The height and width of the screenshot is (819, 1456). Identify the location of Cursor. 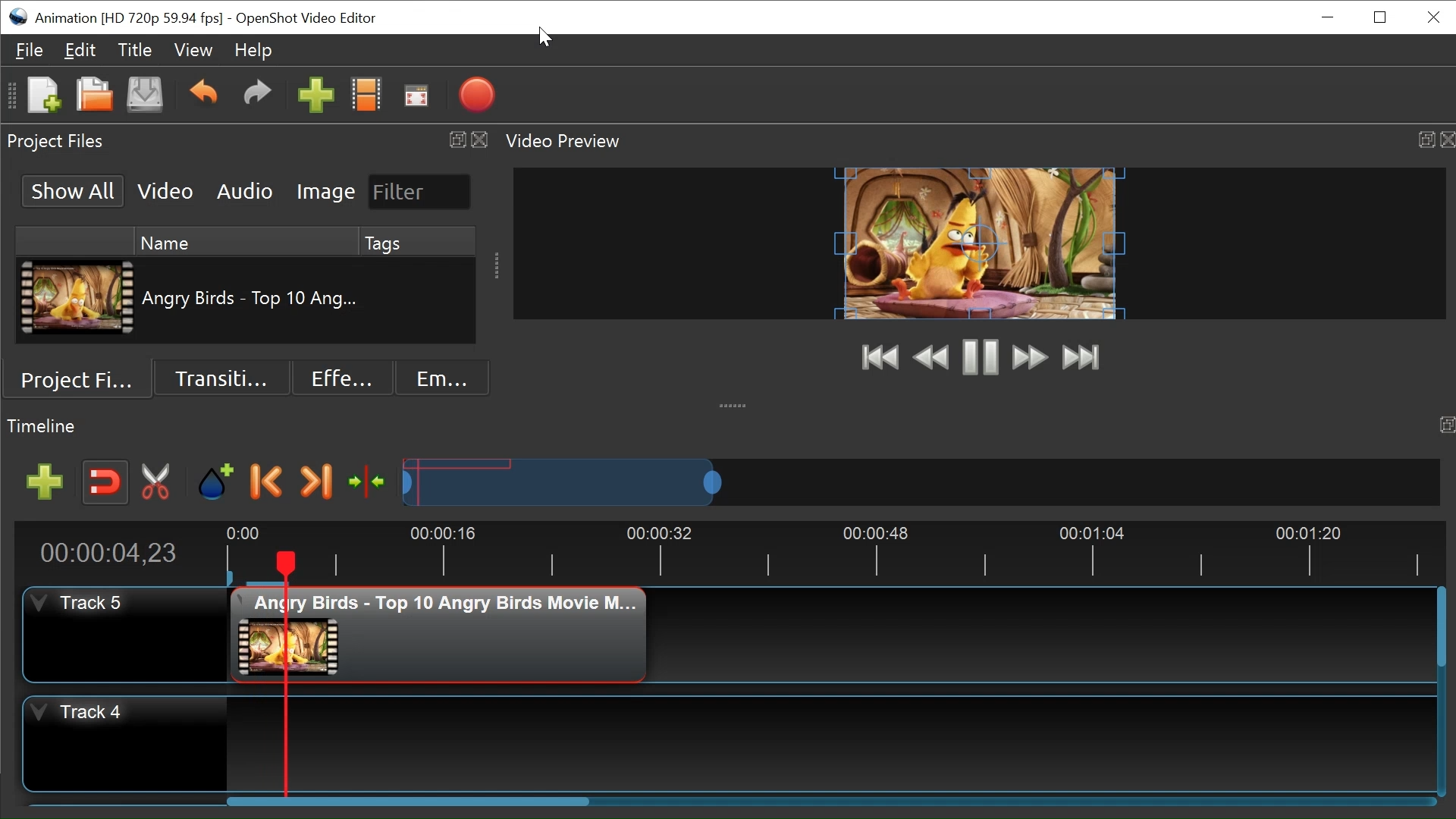
(544, 37).